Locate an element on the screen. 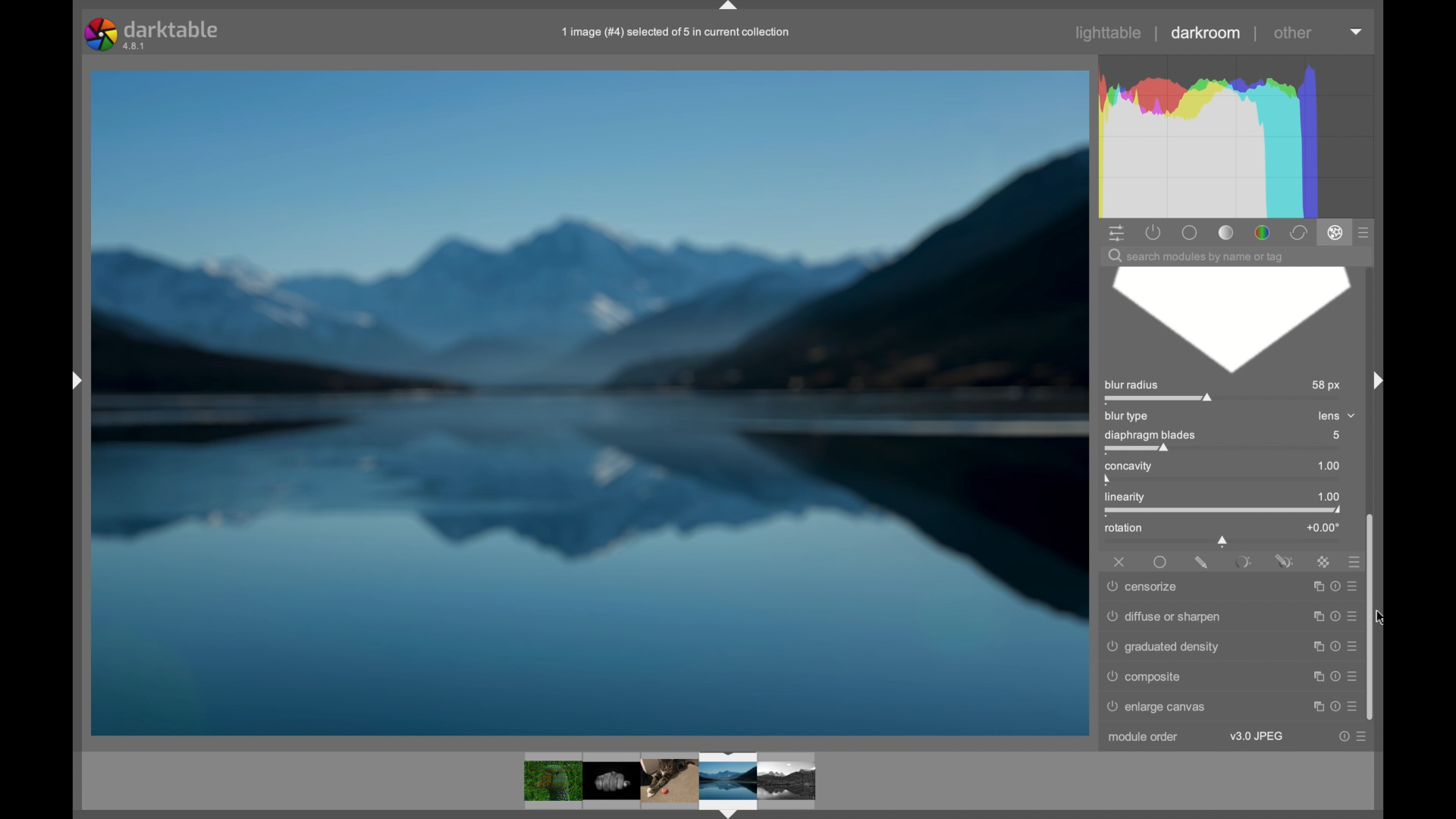 Image resolution: width=1456 pixels, height=819 pixels. effect is located at coordinates (1335, 234).